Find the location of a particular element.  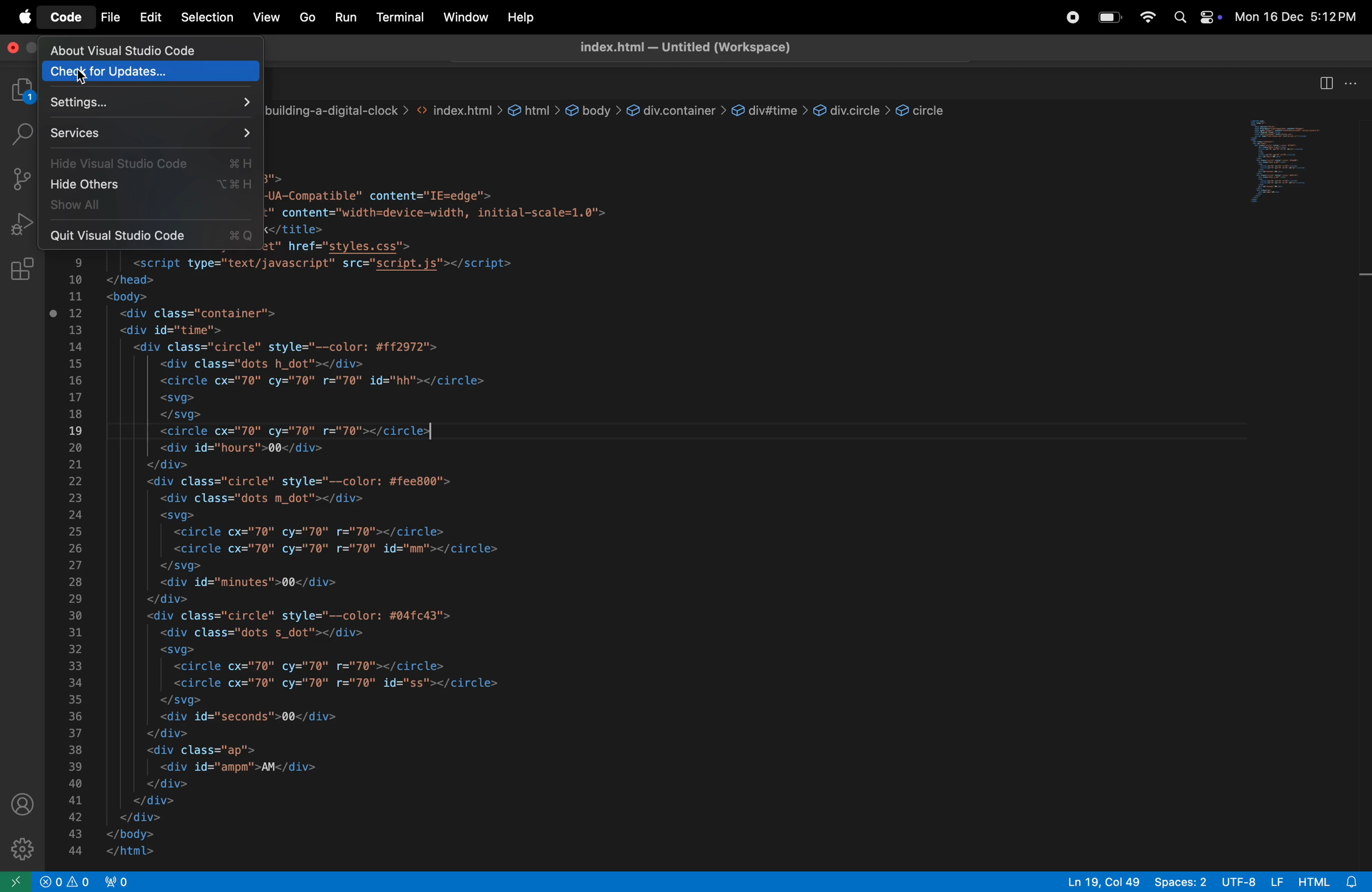

<body> is located at coordinates (129, 297).